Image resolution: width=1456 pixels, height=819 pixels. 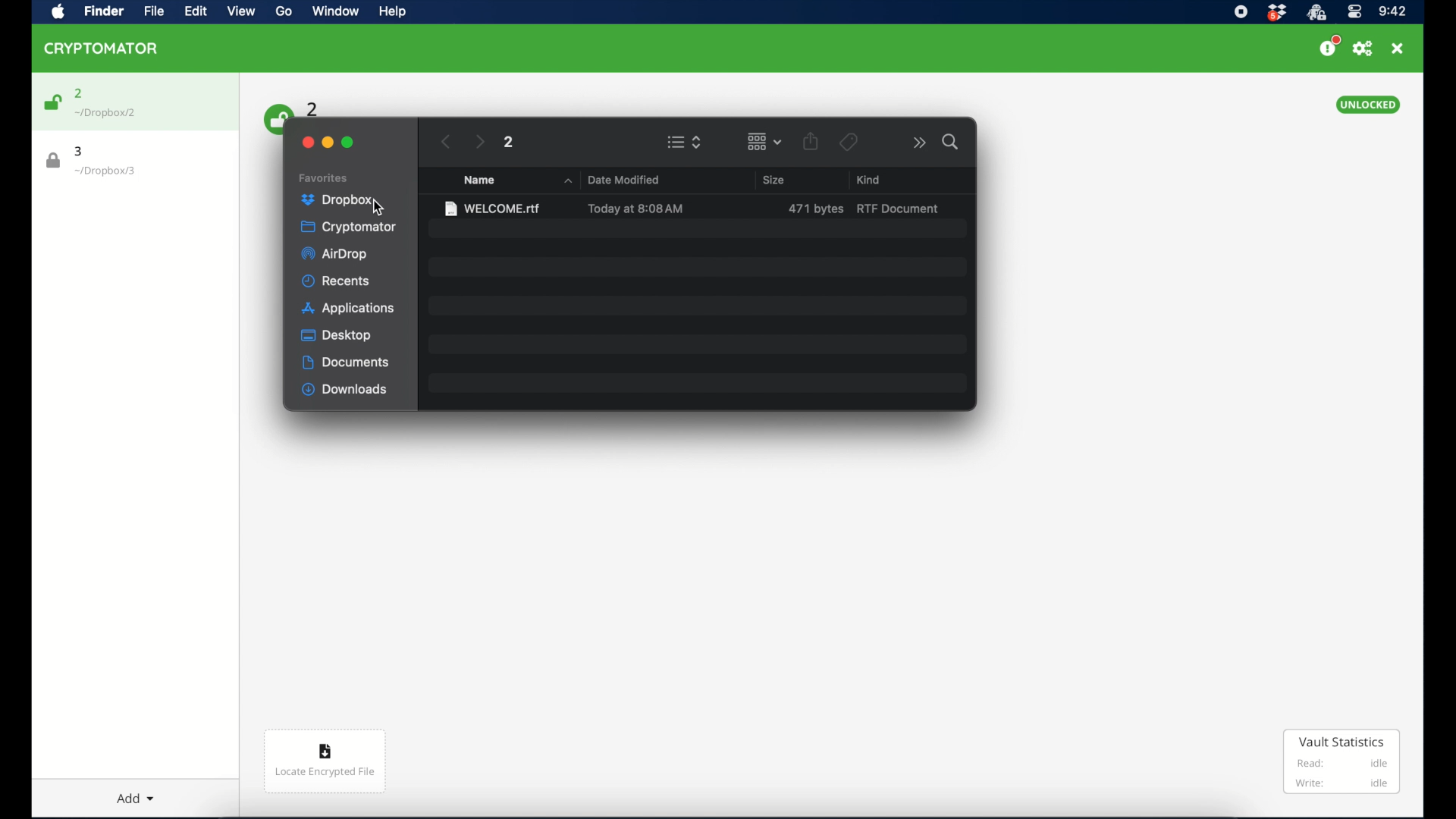 What do you see at coordinates (493, 209) in the screenshot?
I see `file name` at bounding box center [493, 209].